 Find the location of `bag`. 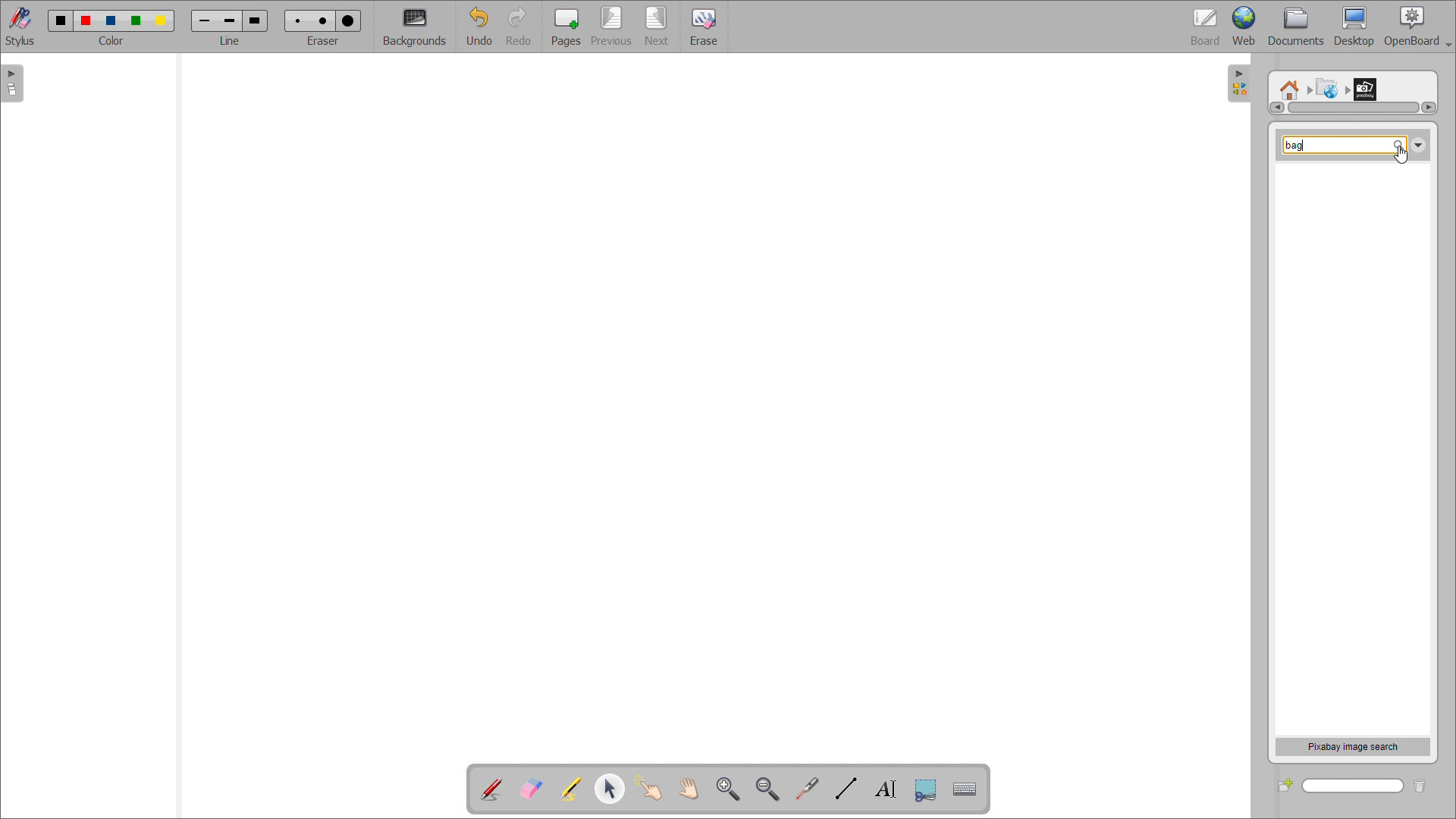

bag is located at coordinates (1296, 145).